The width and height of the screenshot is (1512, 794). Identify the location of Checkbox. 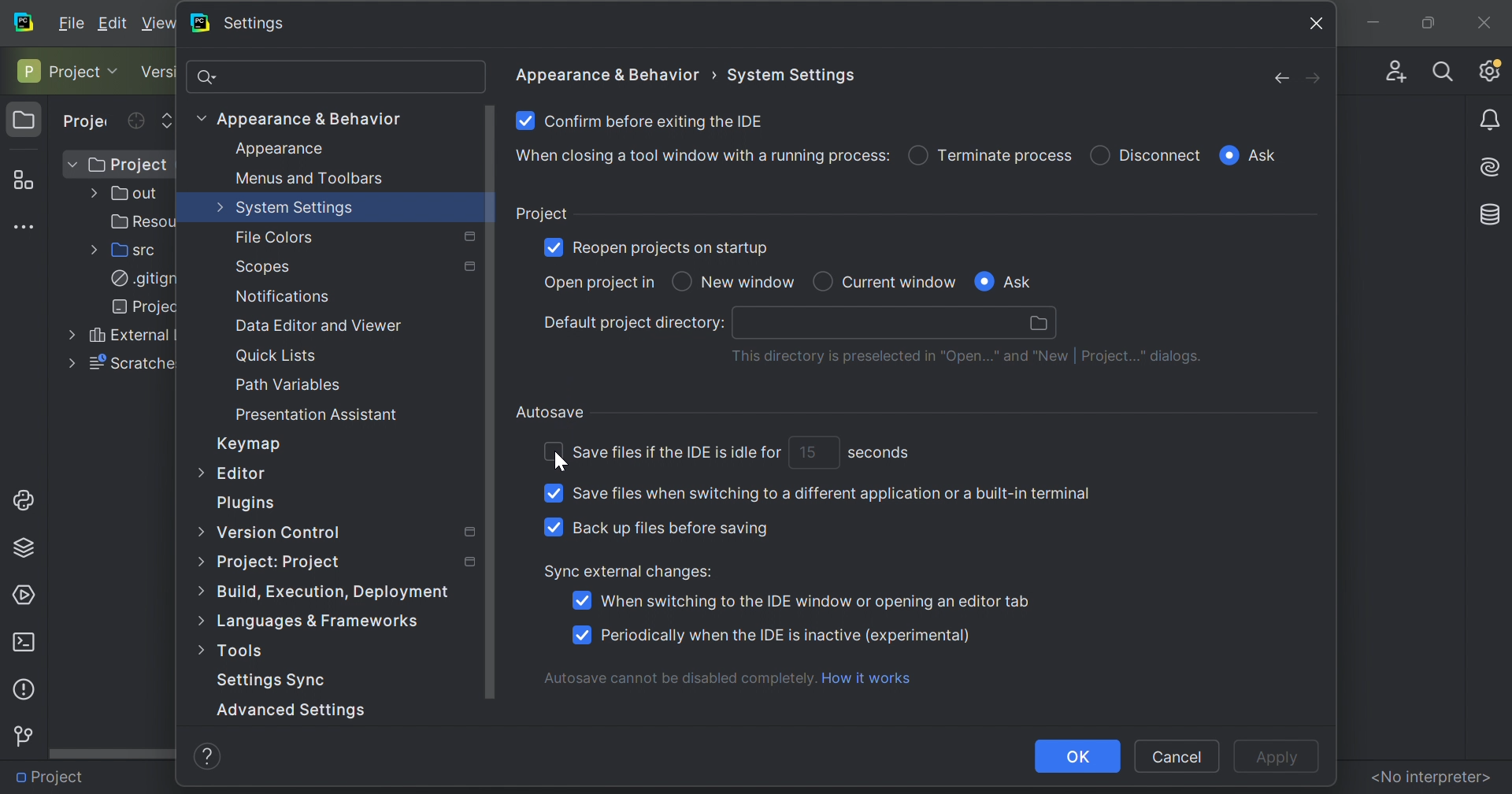
(550, 245).